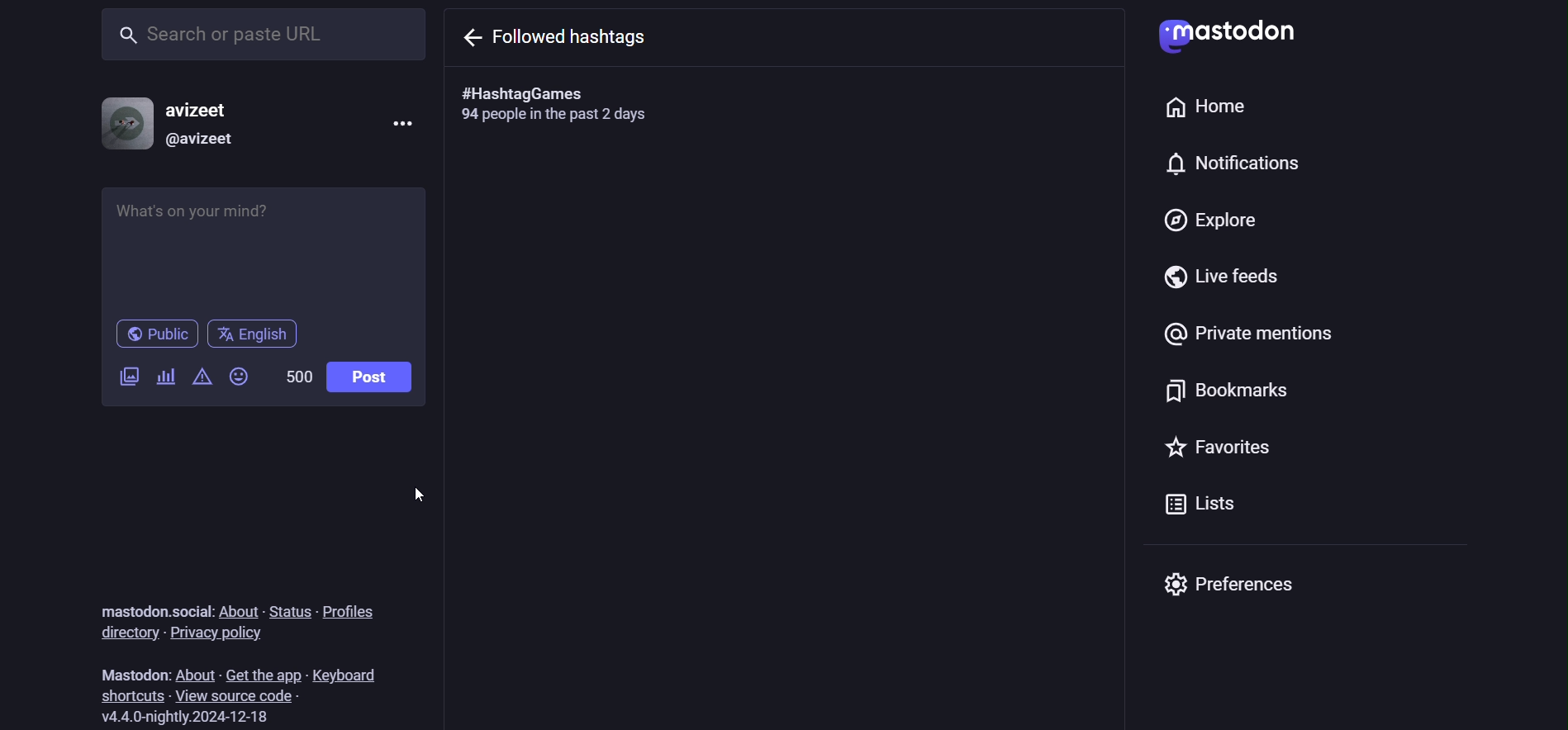 The image size is (1568, 730). Describe the element at coordinates (569, 41) in the screenshot. I see `go back from followed hashtags menu` at that location.